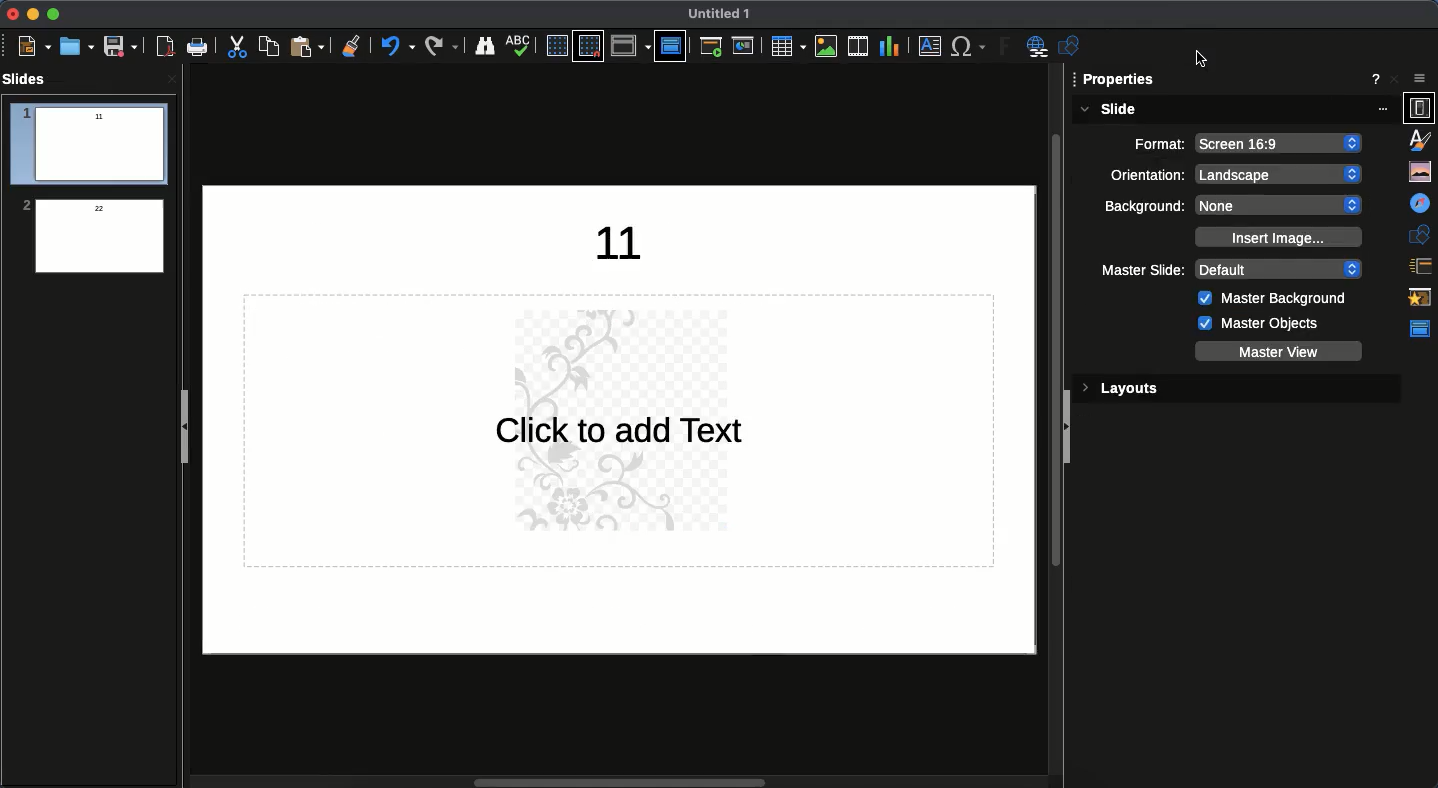  I want to click on Chart, so click(889, 45).